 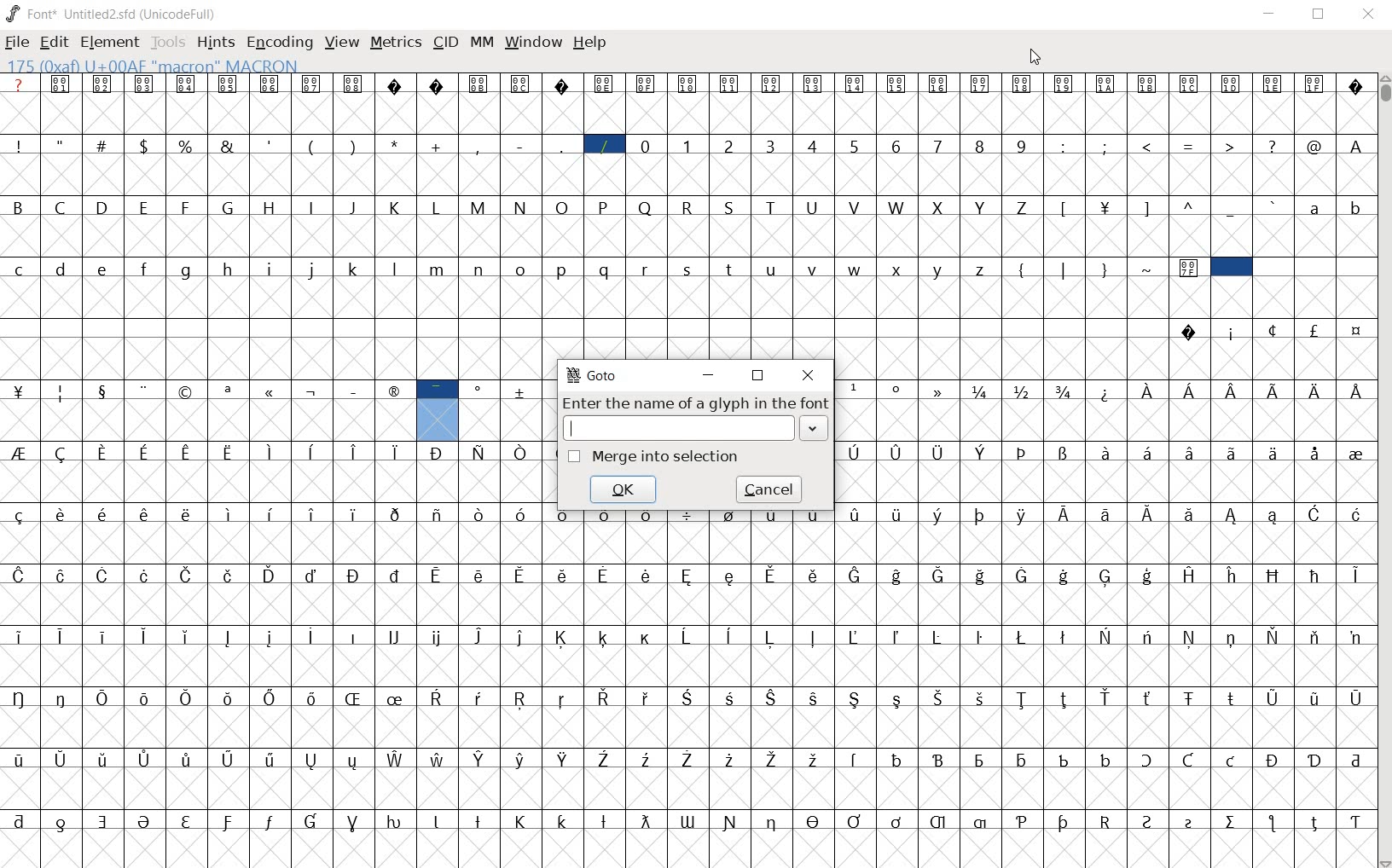 What do you see at coordinates (193, 656) in the screenshot?
I see `Latin extended characters` at bounding box center [193, 656].